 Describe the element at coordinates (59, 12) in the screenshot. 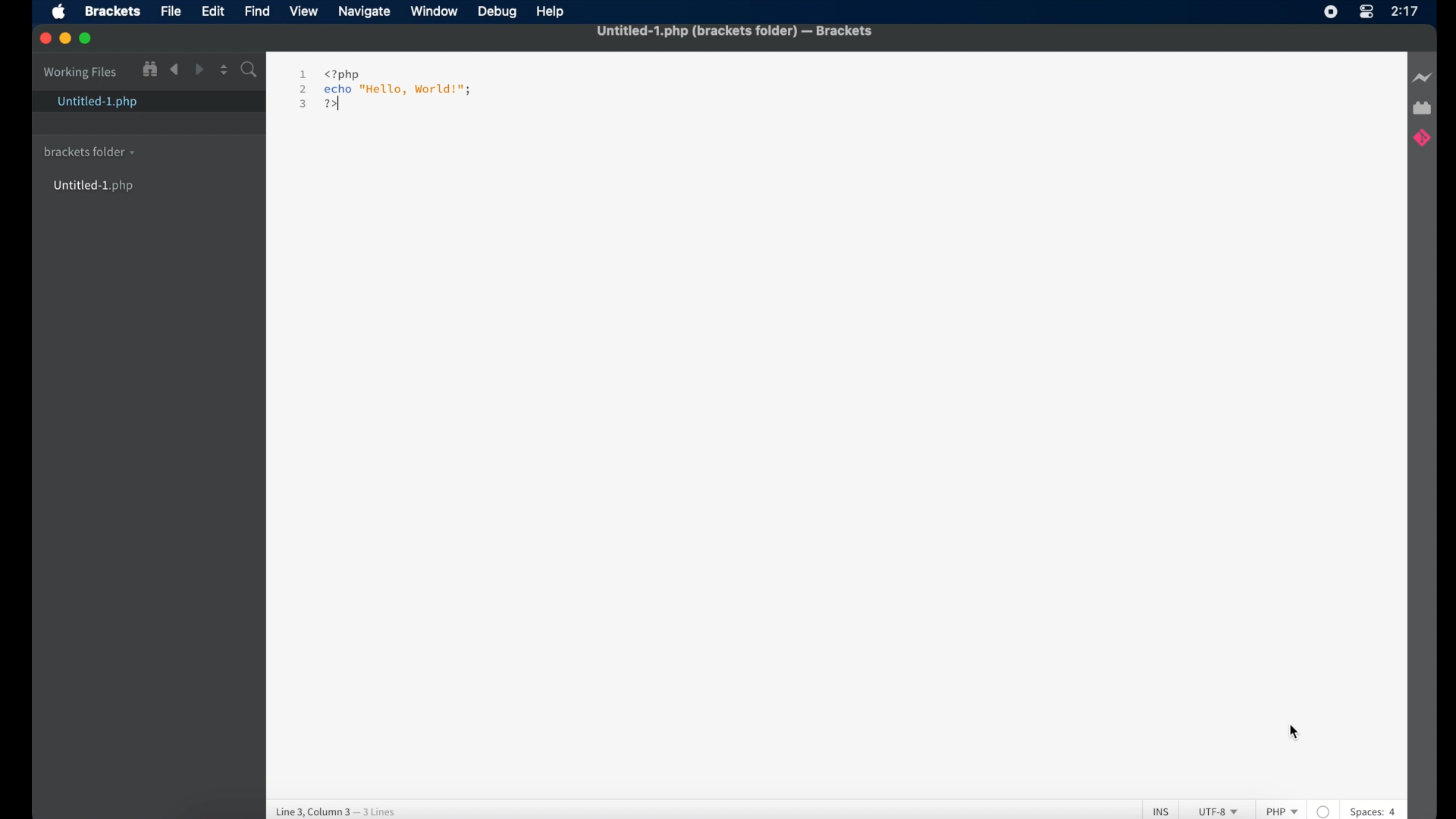

I see `apple icon` at that location.